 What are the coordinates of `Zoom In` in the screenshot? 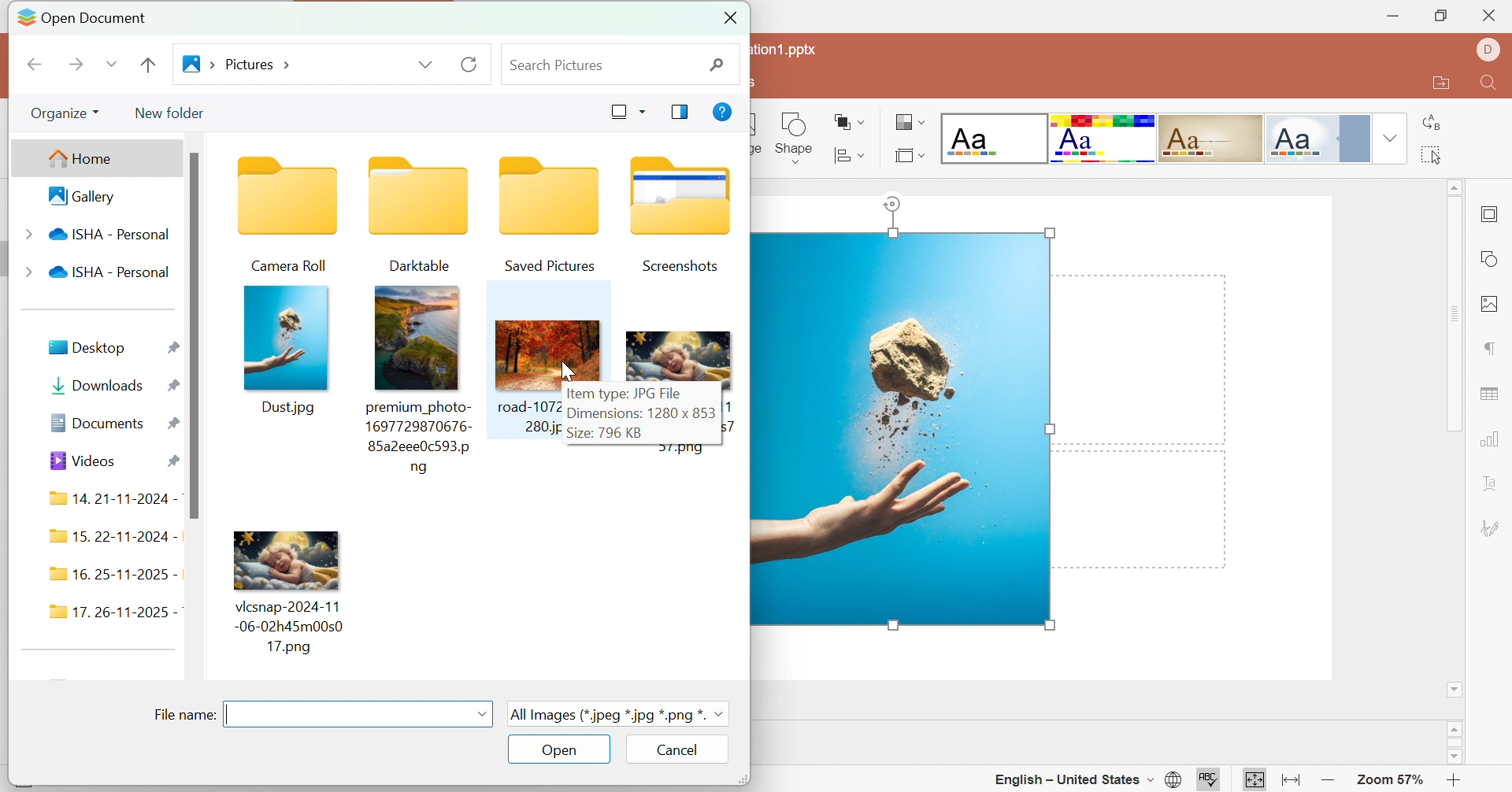 It's located at (1455, 779).